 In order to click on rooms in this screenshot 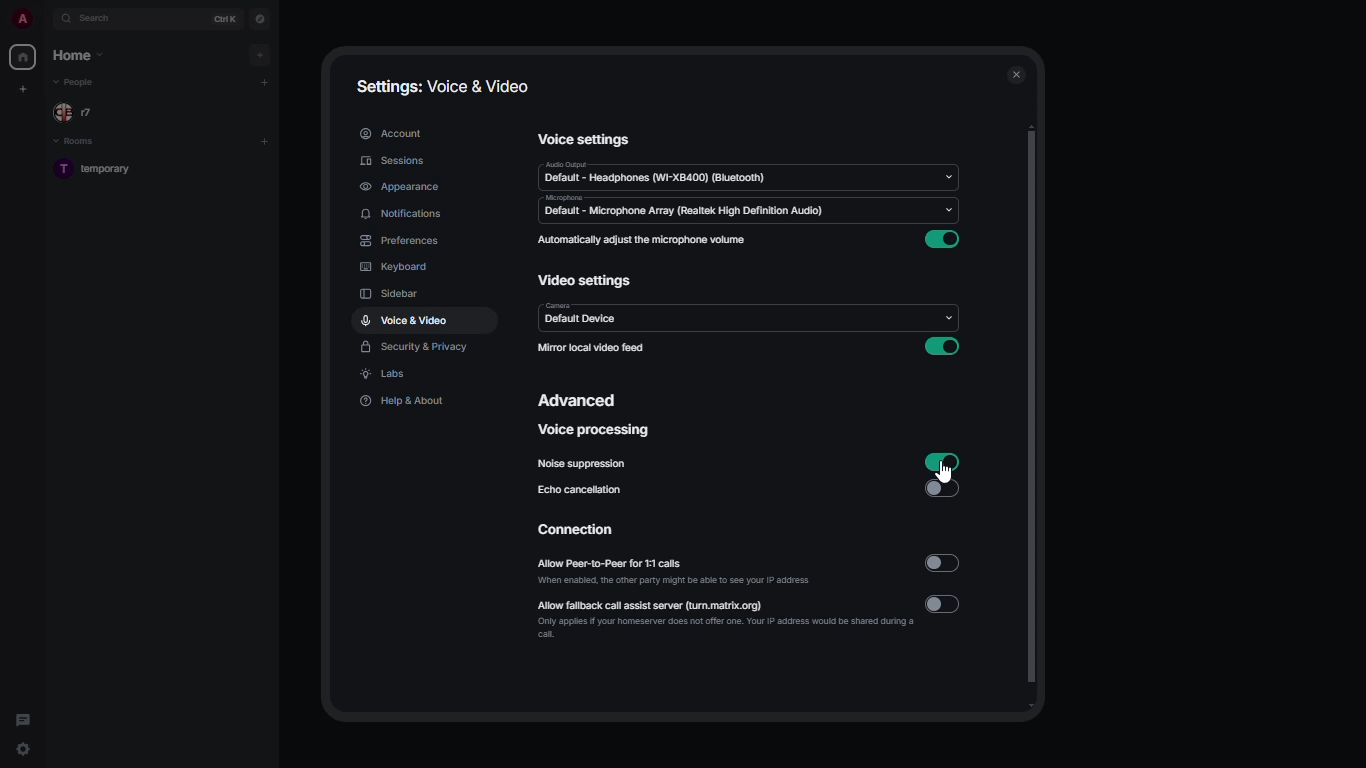, I will do `click(81, 143)`.